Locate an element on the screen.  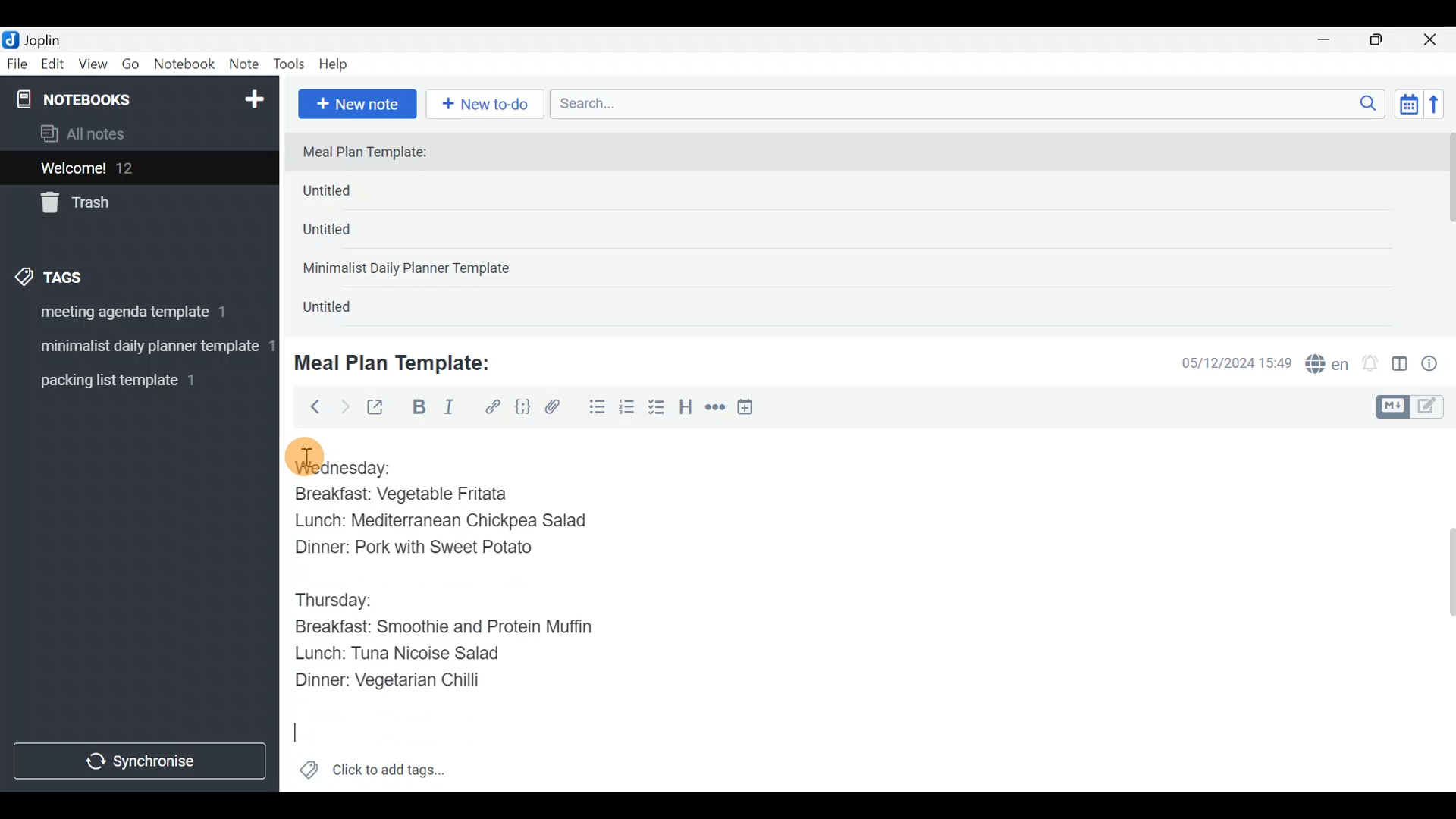
Numbered list is located at coordinates (627, 410).